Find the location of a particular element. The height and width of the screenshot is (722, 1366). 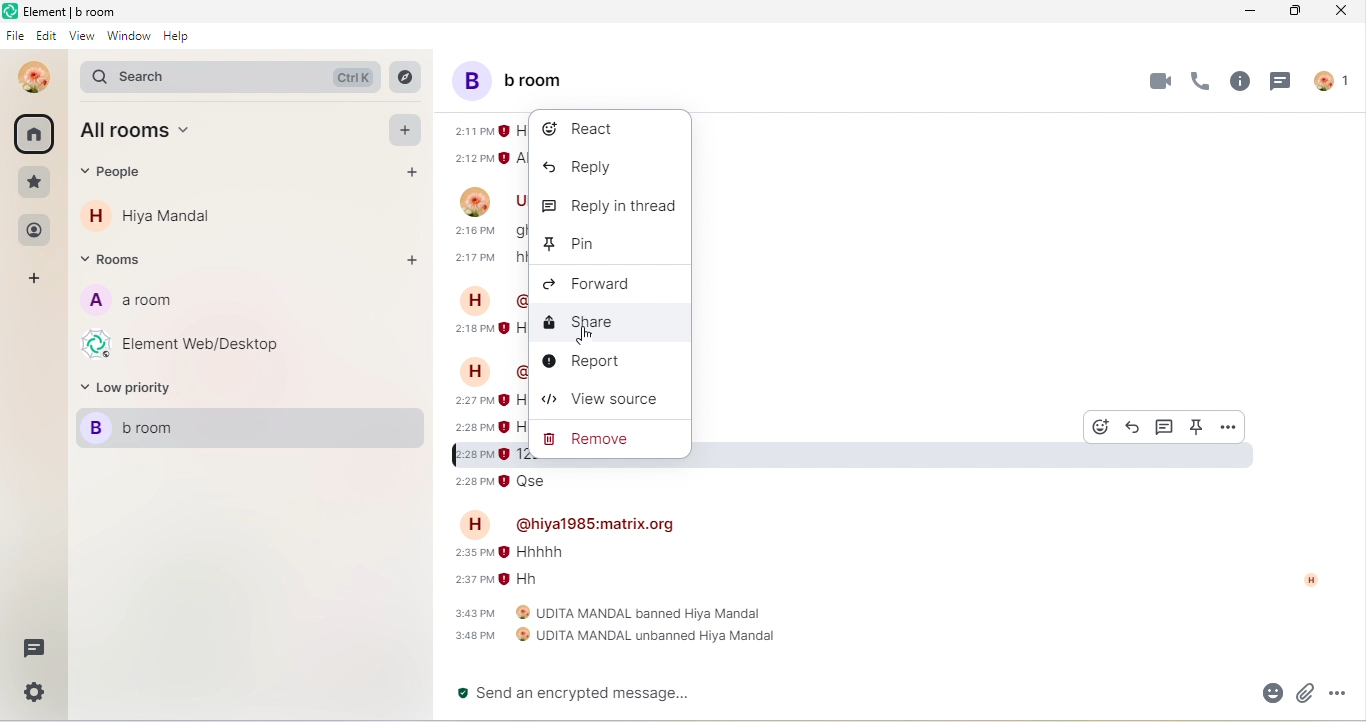

2:11 pm Hi is located at coordinates (486, 131).